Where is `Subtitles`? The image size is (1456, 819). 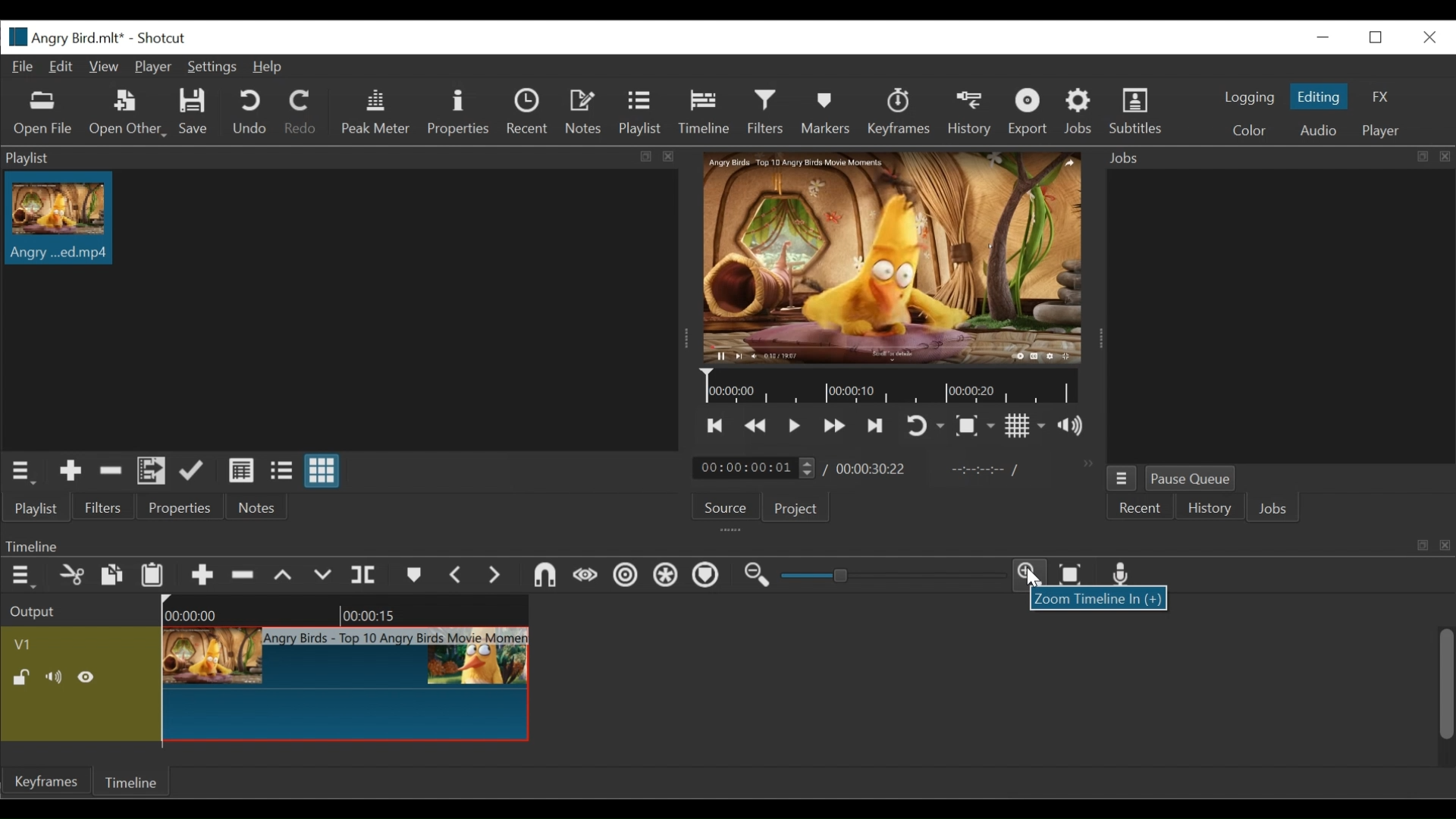
Subtitles is located at coordinates (1137, 111).